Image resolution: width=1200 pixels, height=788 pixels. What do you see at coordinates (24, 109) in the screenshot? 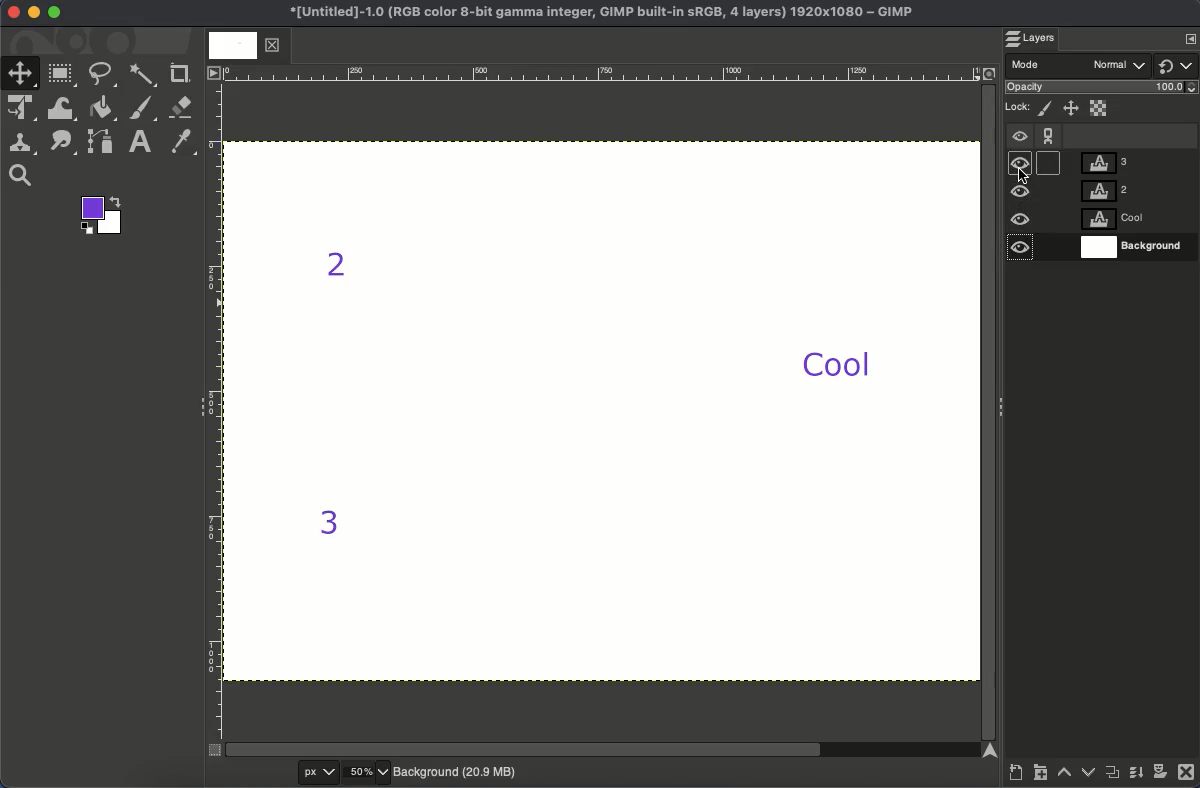
I see `Unified transformation` at bounding box center [24, 109].